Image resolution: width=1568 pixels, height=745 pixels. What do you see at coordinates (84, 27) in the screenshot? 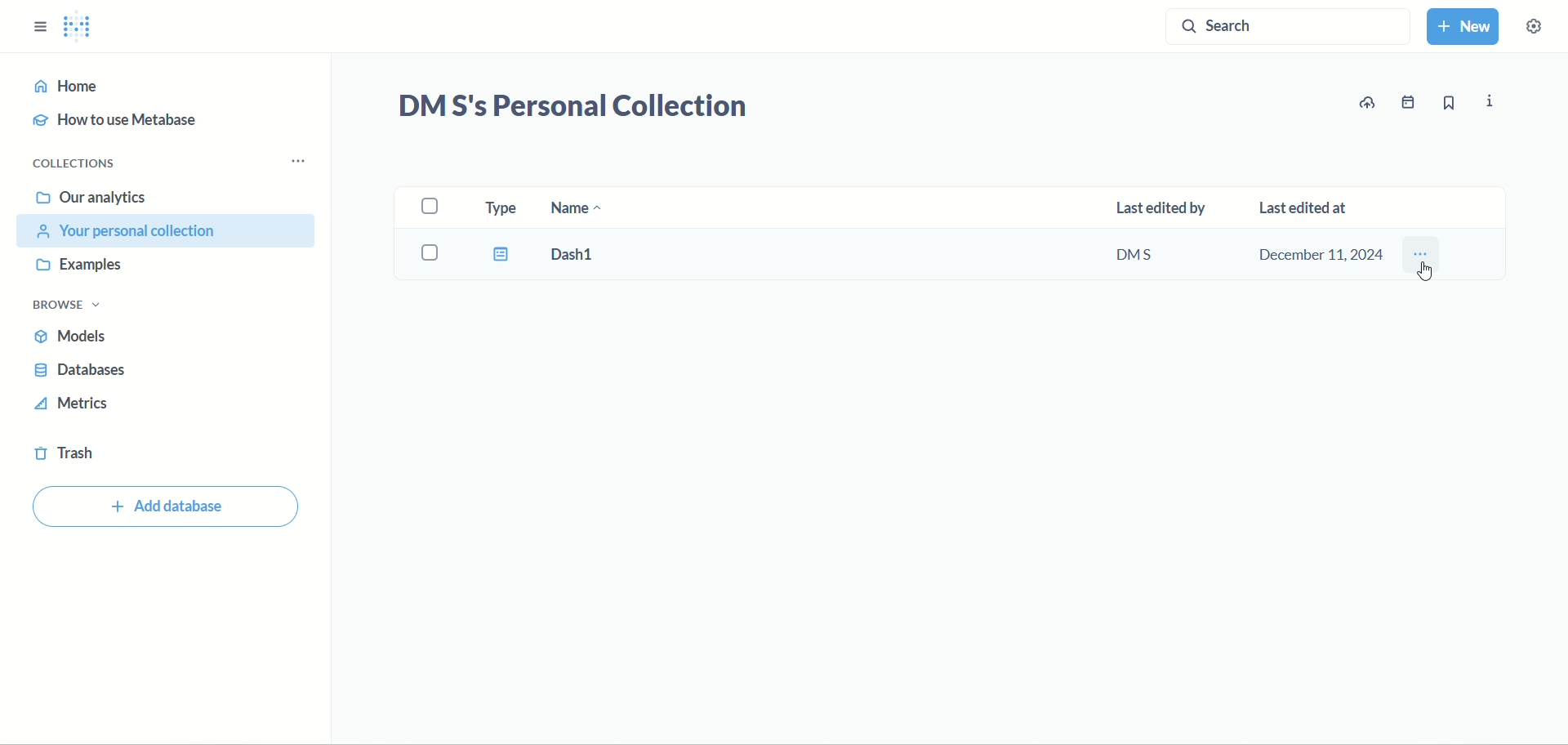
I see `METABASE LOGO ` at bounding box center [84, 27].